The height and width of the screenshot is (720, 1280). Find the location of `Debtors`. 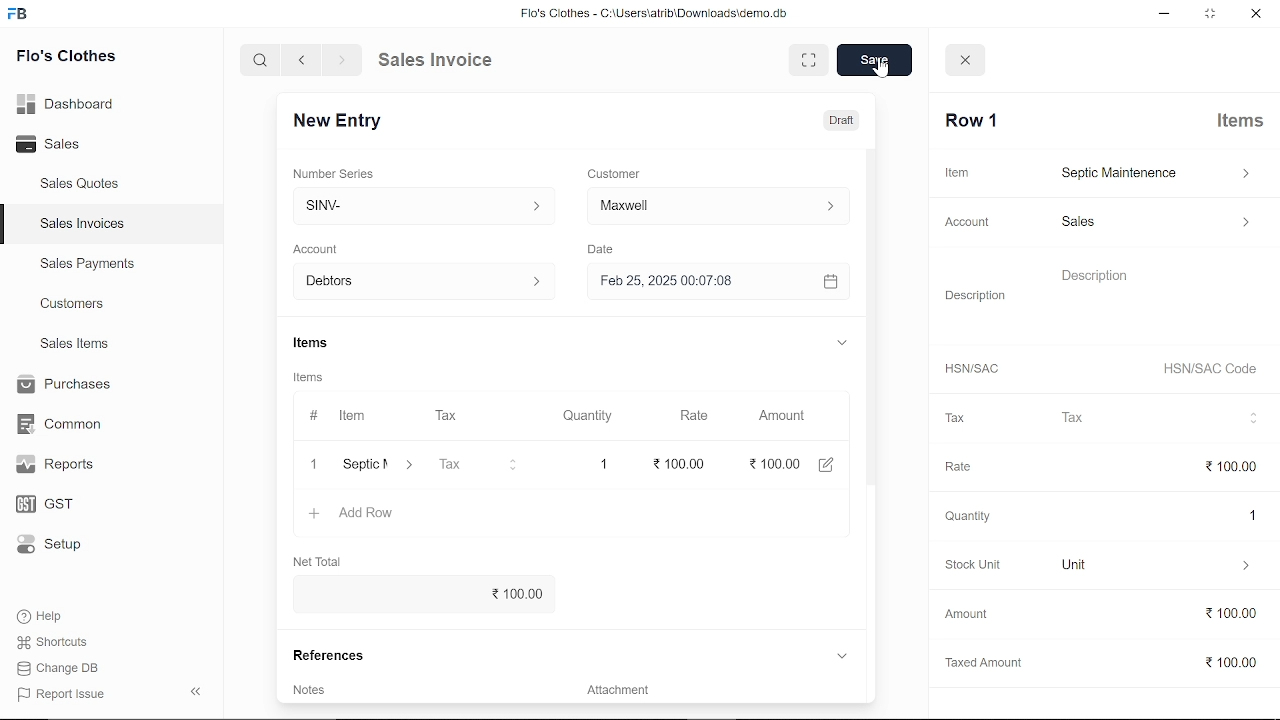

Debtors is located at coordinates (417, 281).